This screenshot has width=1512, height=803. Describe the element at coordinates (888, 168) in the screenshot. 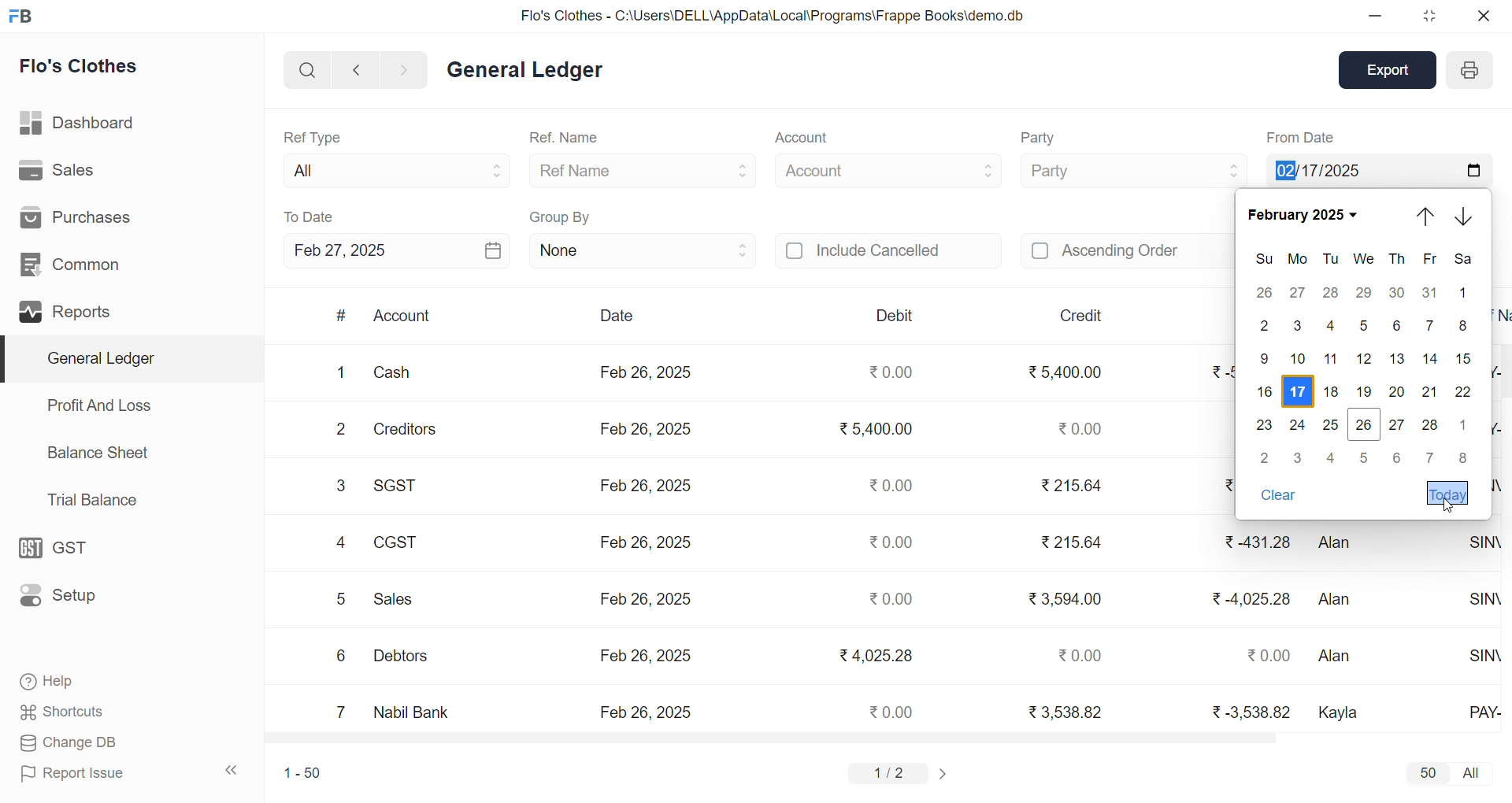

I see `Account` at that location.